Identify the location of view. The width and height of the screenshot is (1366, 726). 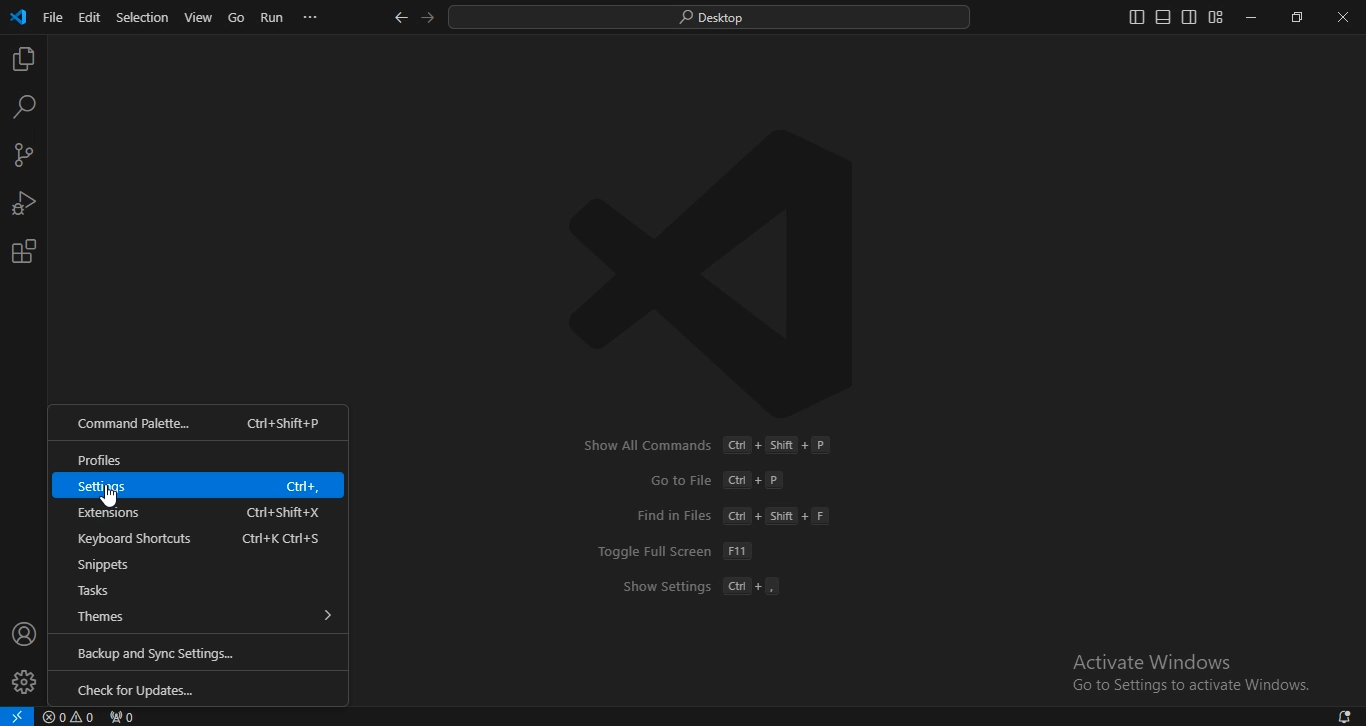
(199, 18).